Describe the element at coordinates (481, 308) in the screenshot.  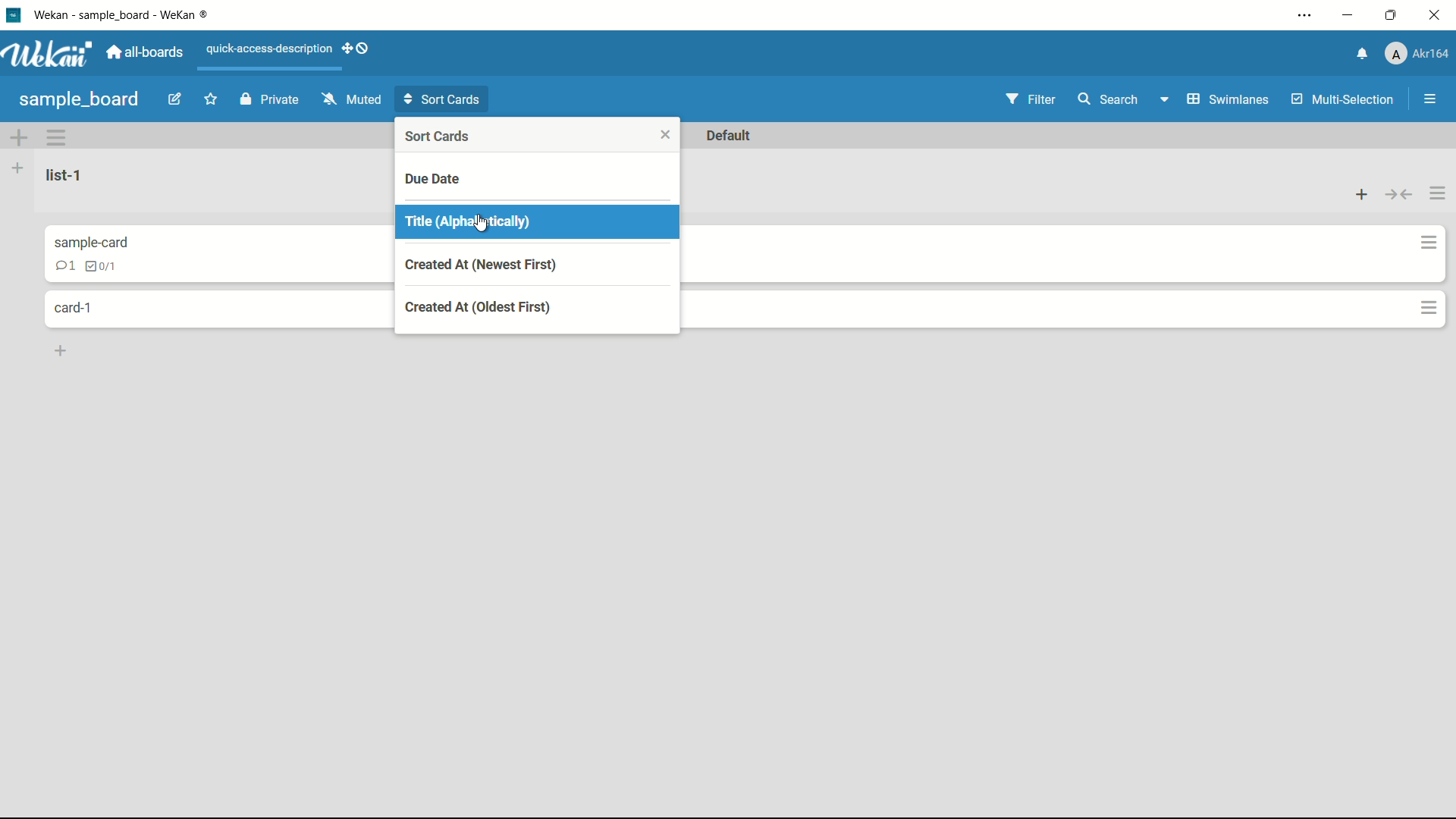
I see `created at(oldest first)` at that location.